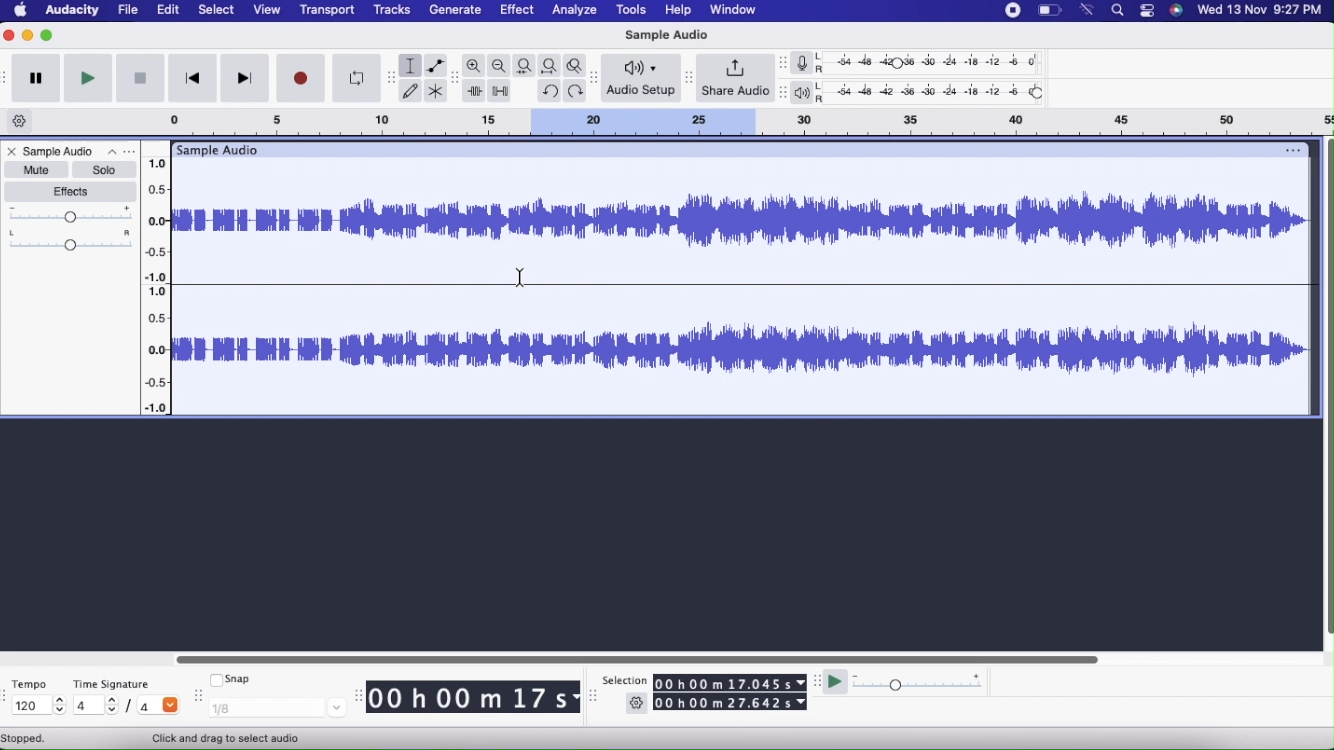 This screenshot has width=1334, height=750. I want to click on Maximize, so click(48, 35).